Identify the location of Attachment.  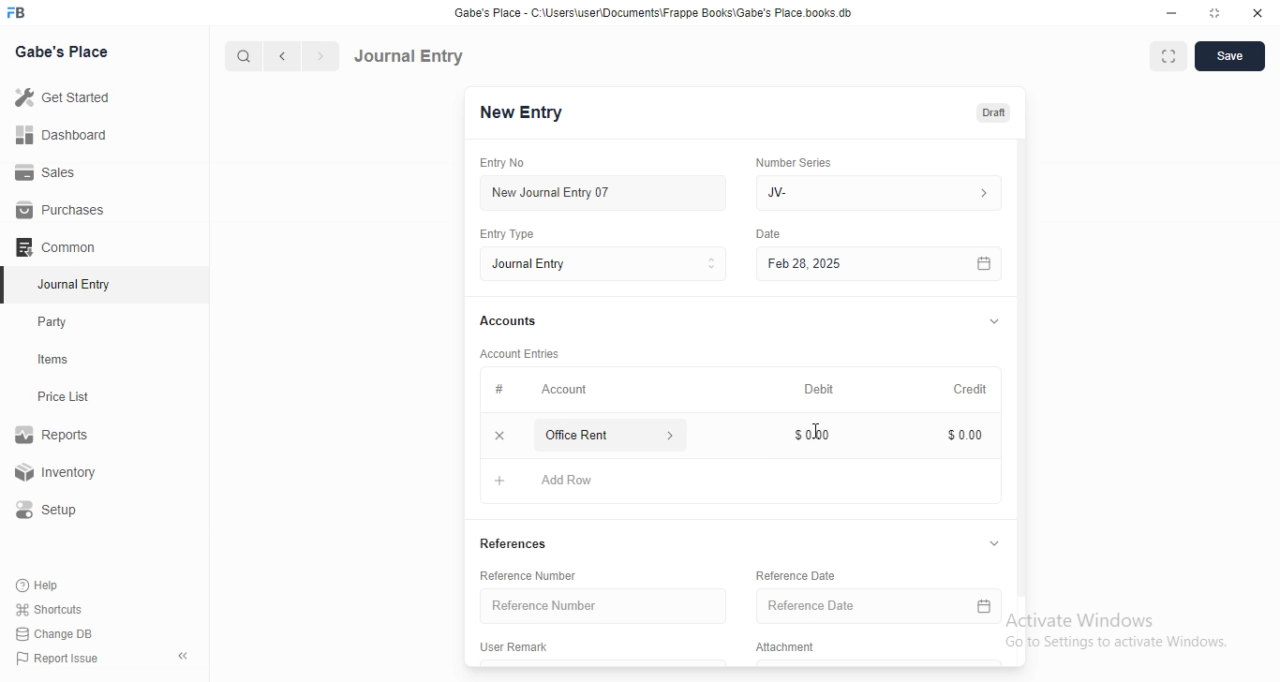
(785, 648).